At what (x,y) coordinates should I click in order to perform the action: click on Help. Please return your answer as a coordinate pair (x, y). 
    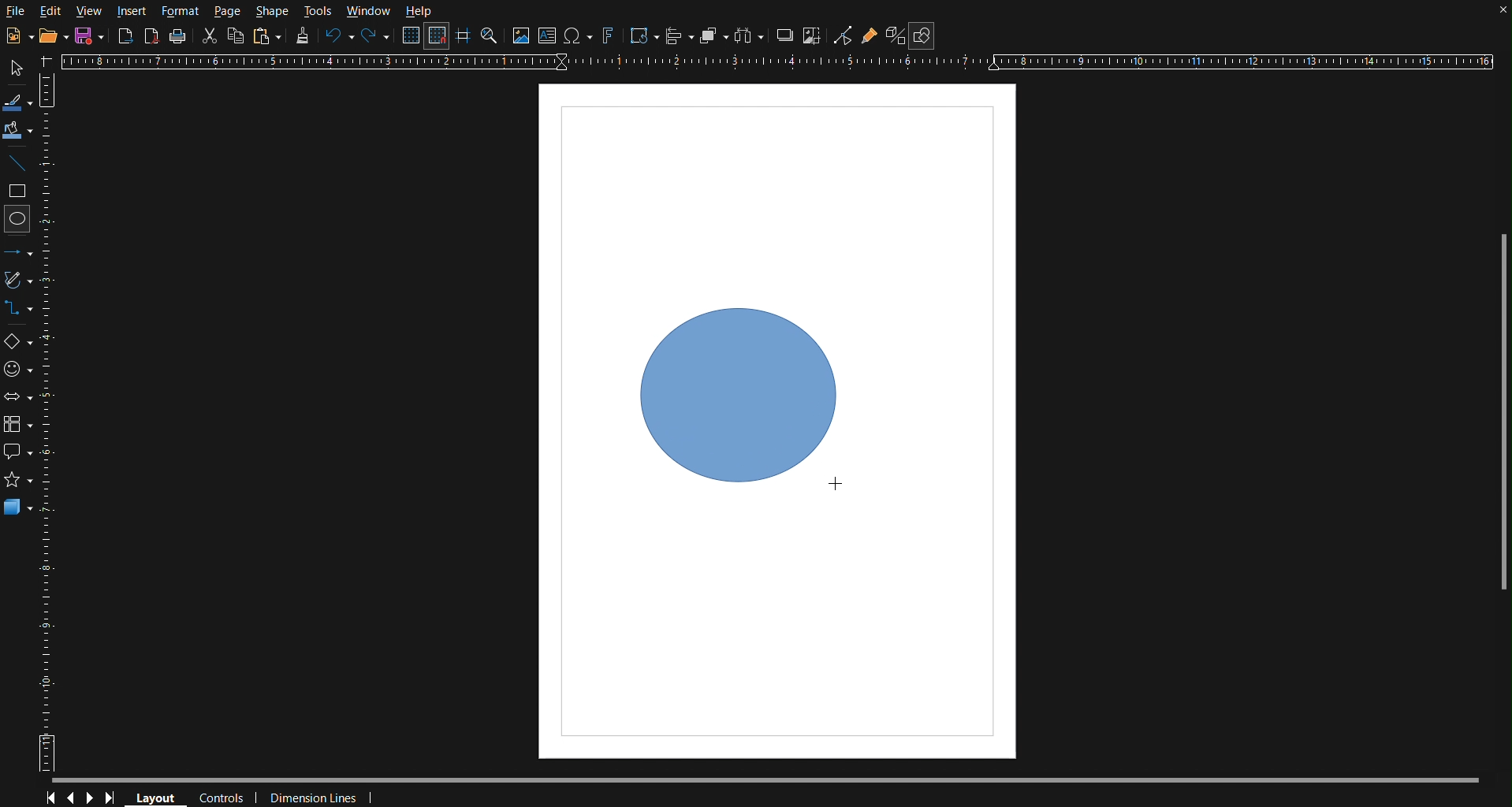
    Looking at the image, I should click on (418, 12).